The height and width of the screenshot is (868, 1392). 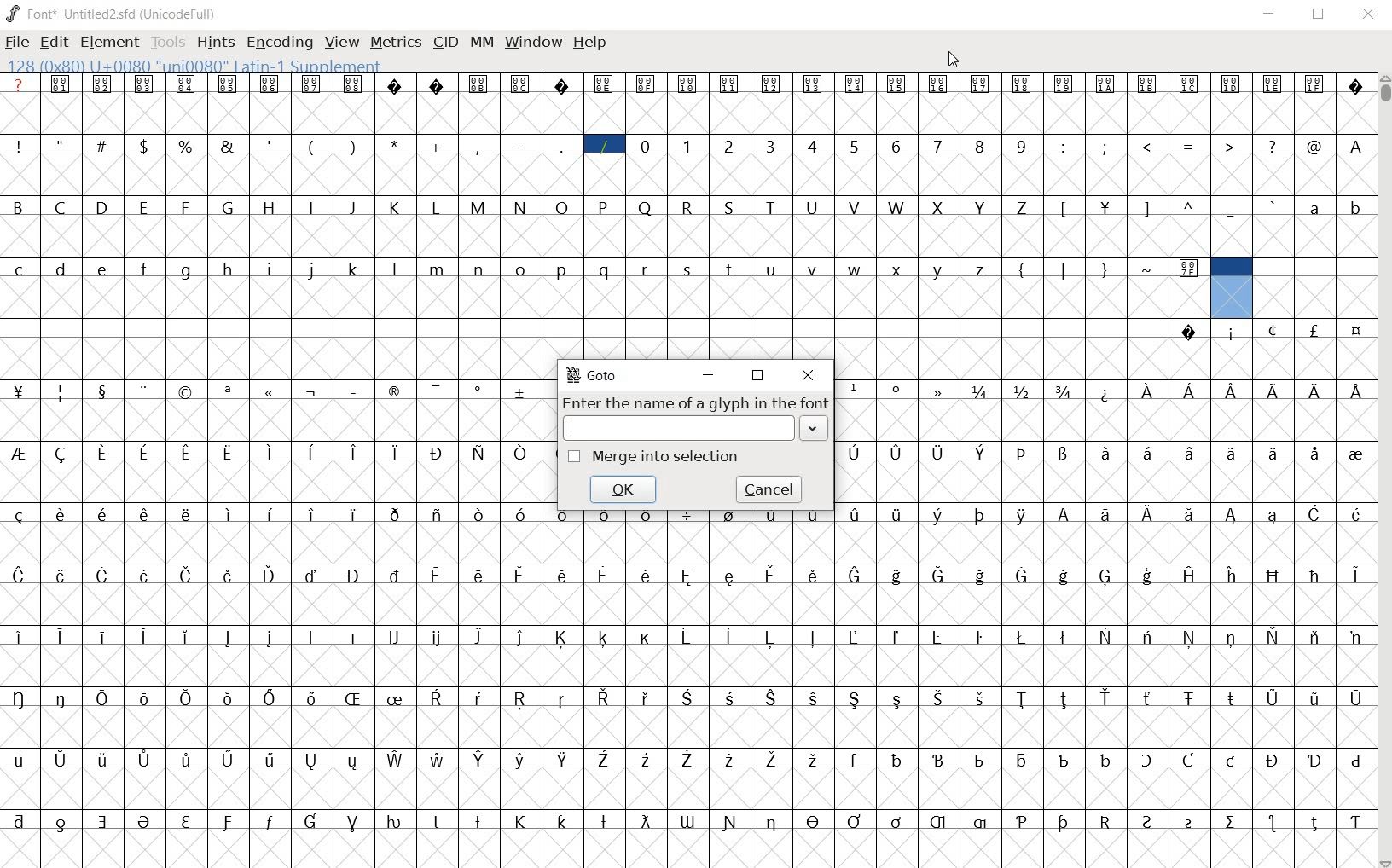 I want to click on Symbol, so click(x=230, y=757).